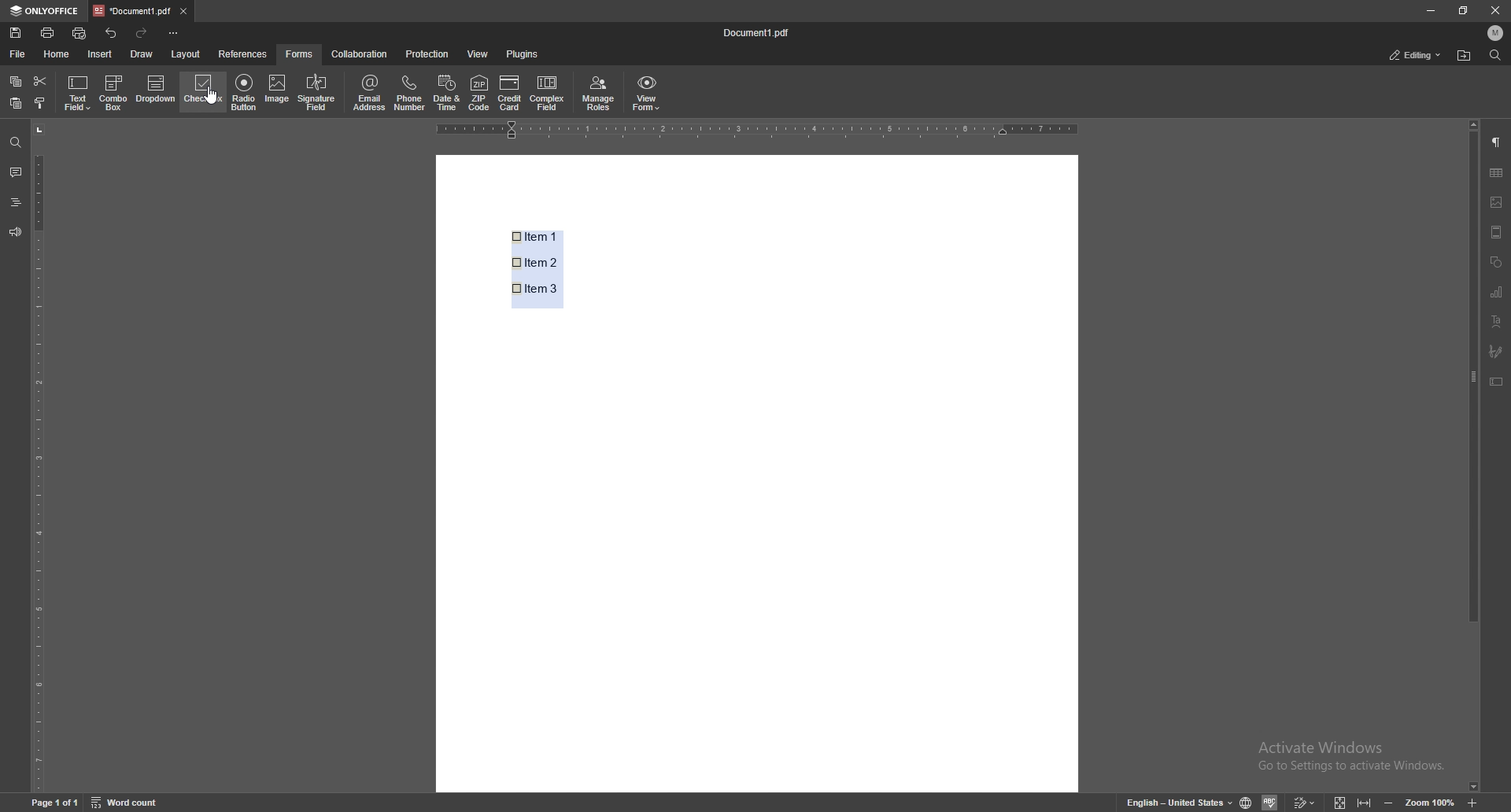  I want to click on paste, so click(15, 103).